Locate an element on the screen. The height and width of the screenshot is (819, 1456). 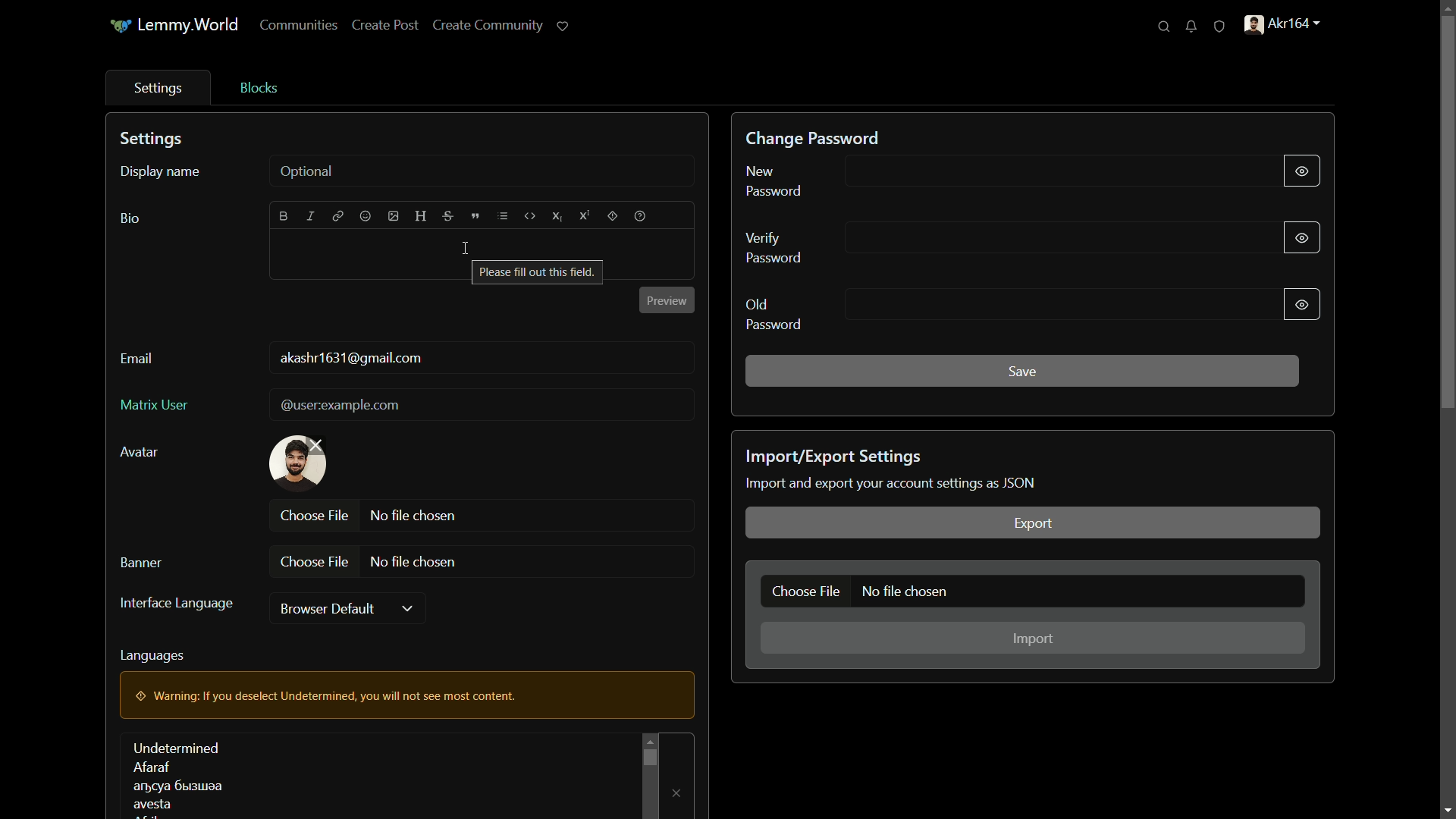
optional is located at coordinates (307, 172).